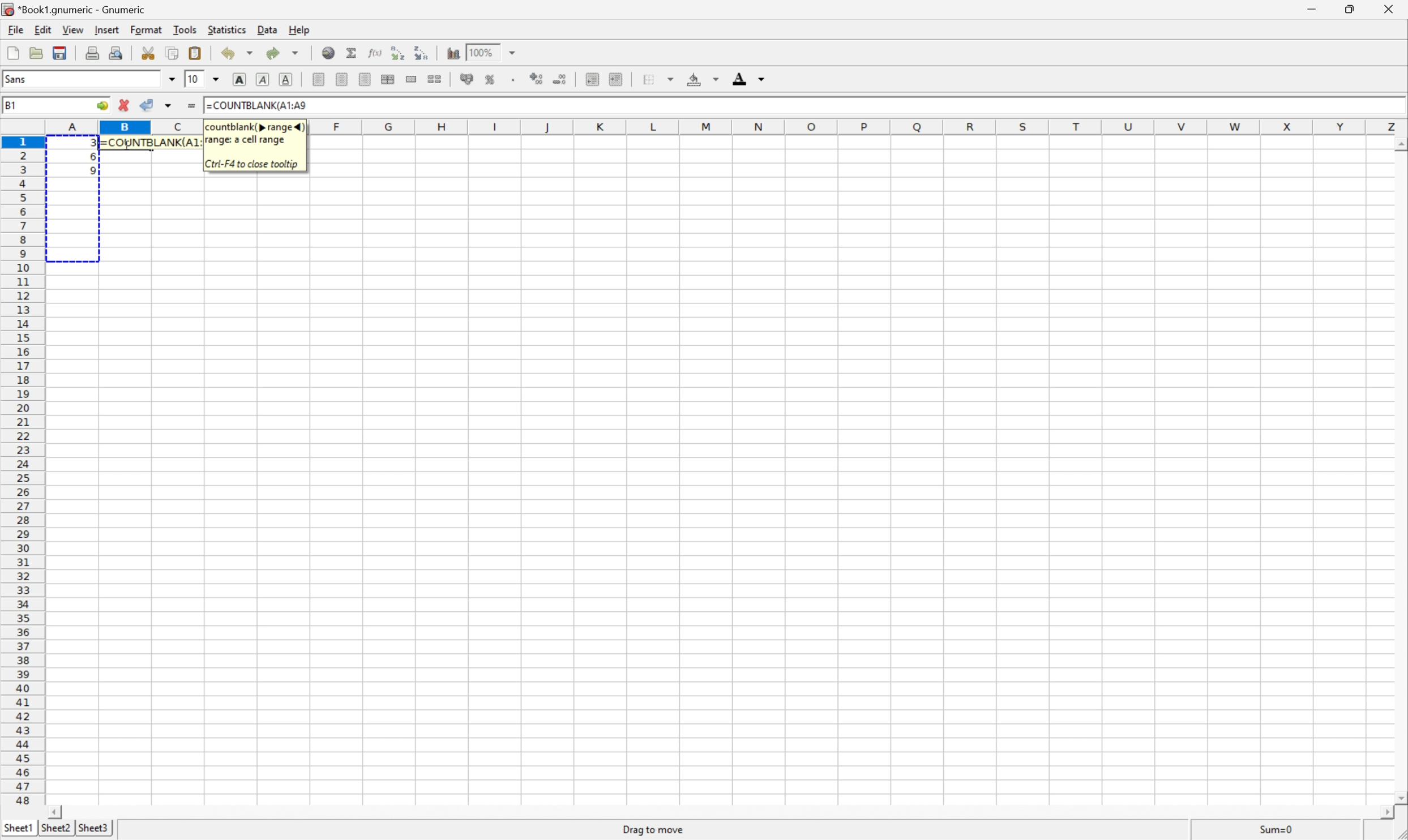 The height and width of the screenshot is (840, 1408). I want to click on Sum in current cell, so click(352, 53).